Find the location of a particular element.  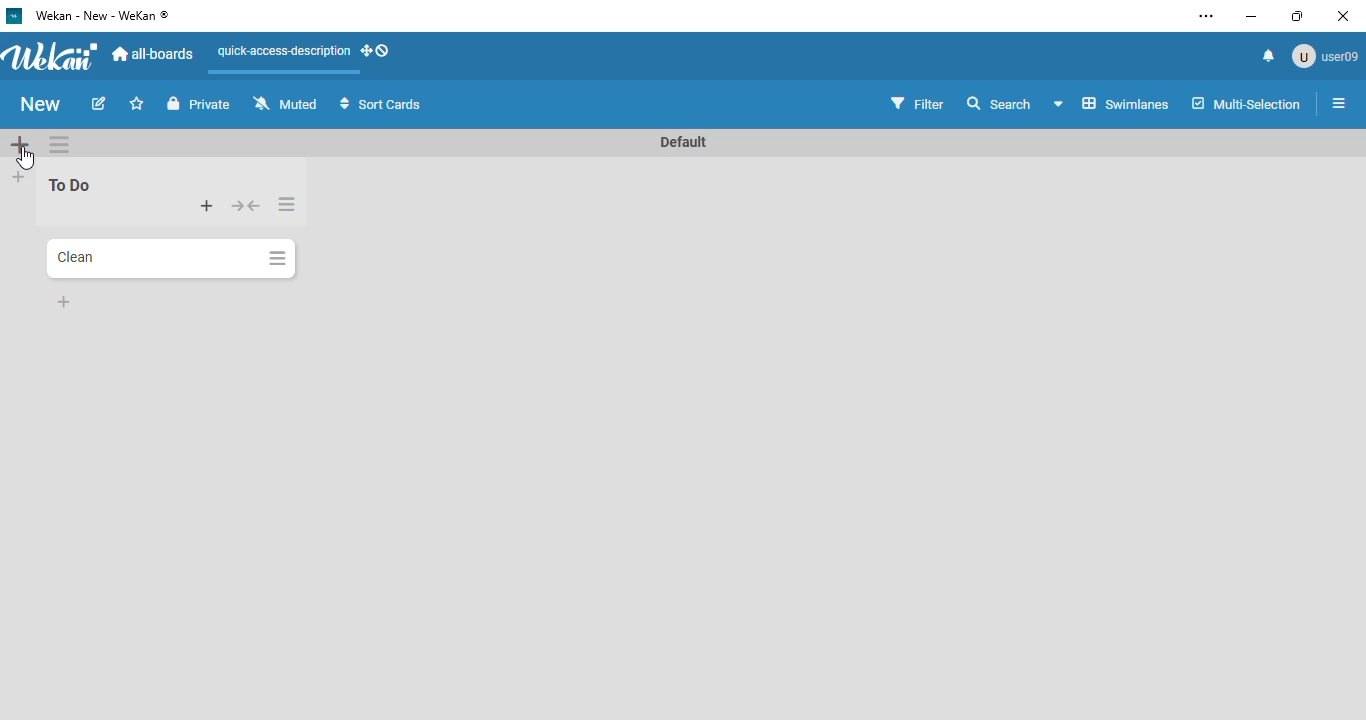

wekan is located at coordinates (53, 55).